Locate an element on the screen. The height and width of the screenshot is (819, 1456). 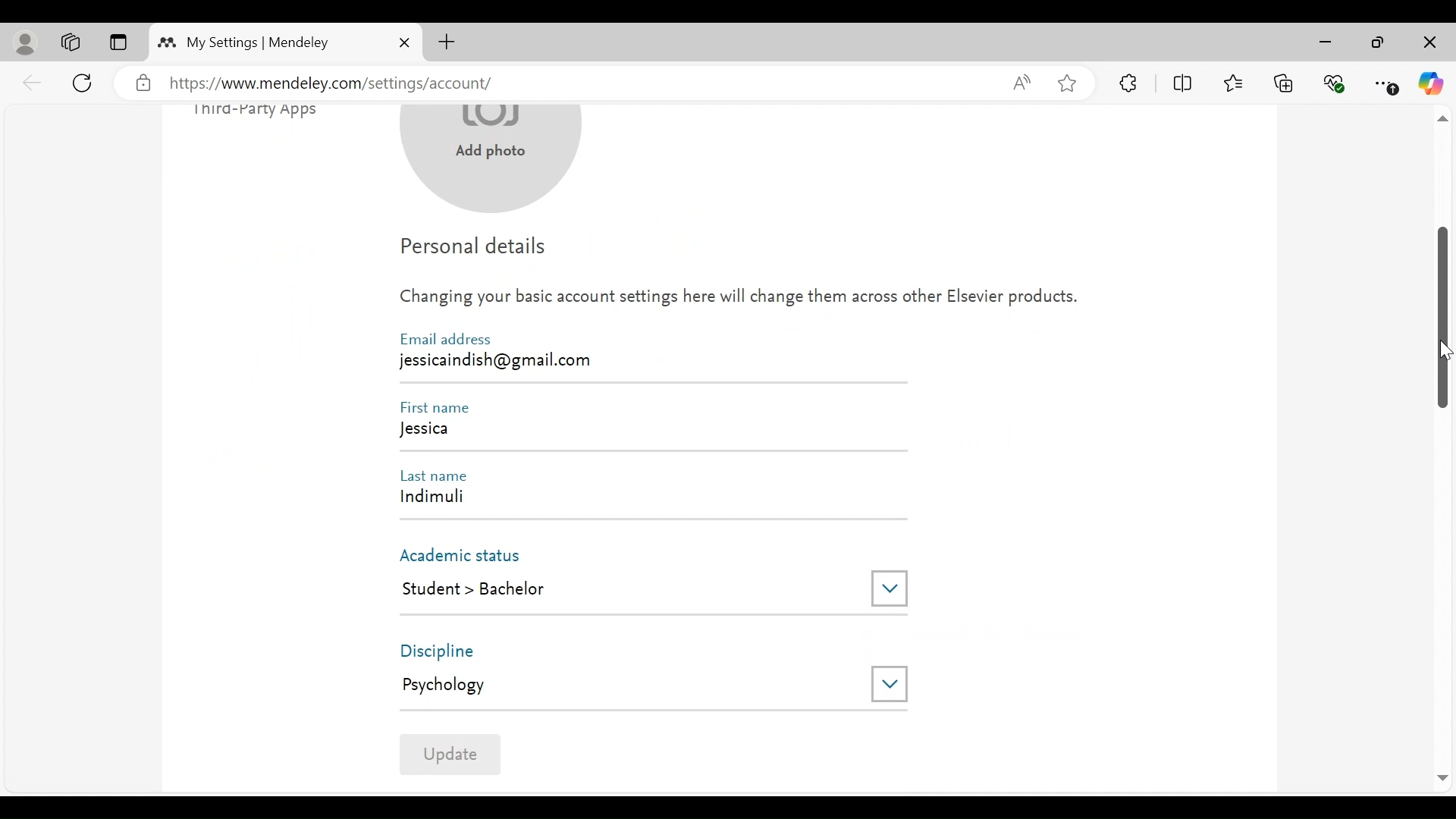
Collections is located at coordinates (1284, 82).